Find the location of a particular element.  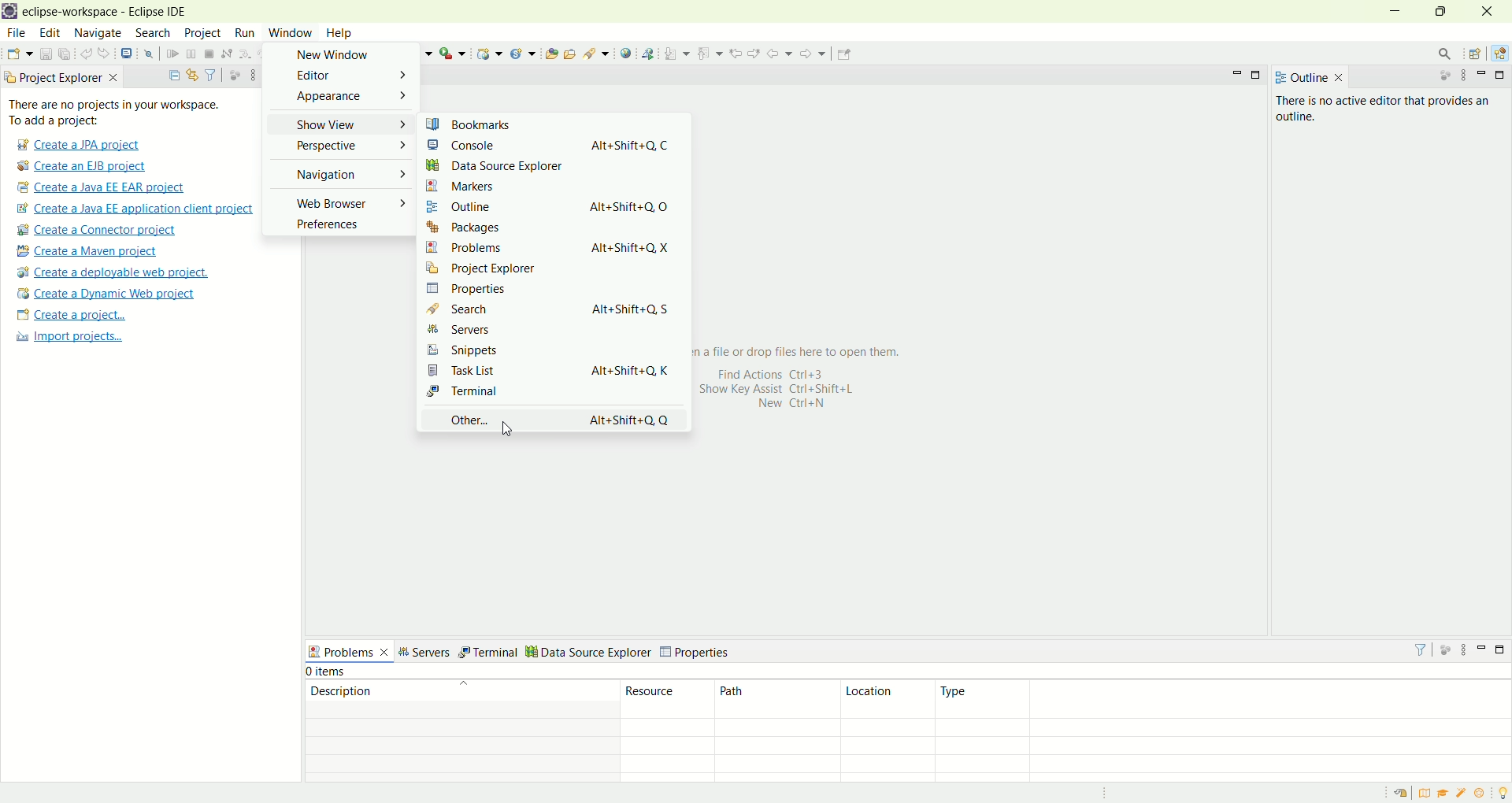

markers is located at coordinates (497, 183).